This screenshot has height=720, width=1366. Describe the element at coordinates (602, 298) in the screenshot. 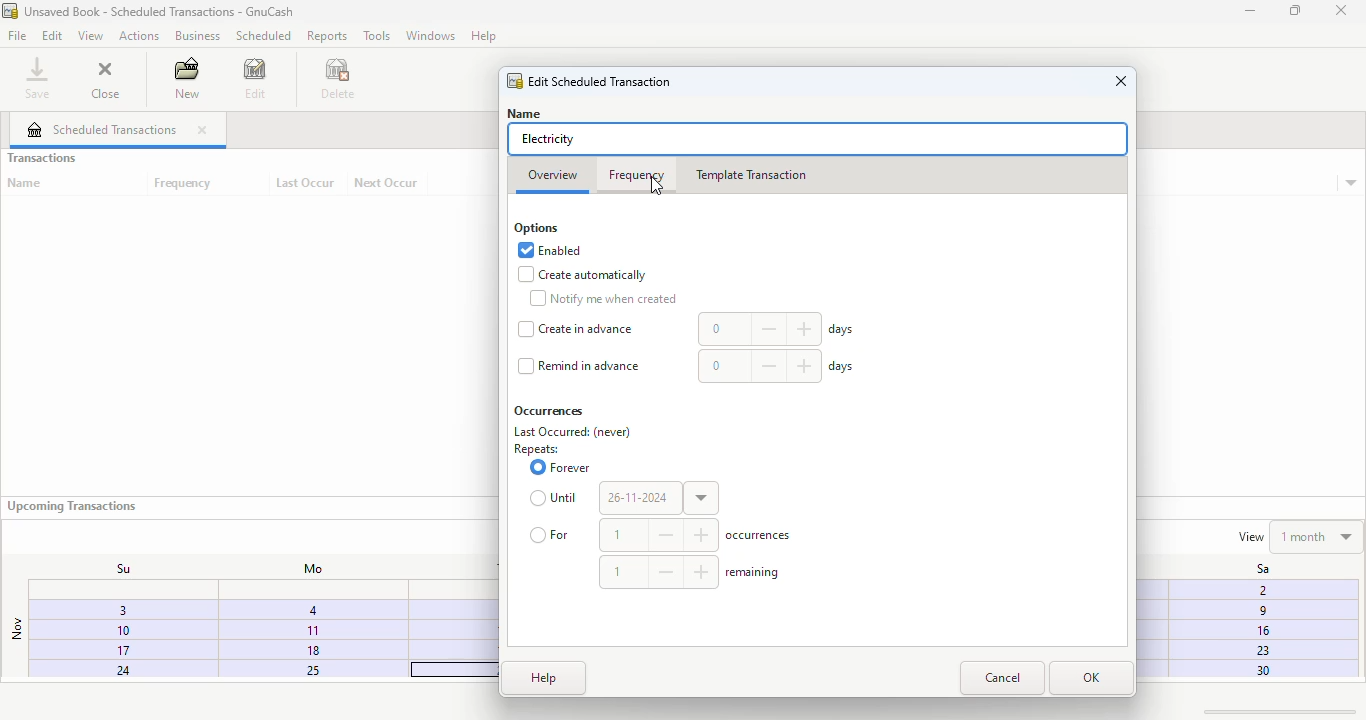

I see `notify me when created` at that location.